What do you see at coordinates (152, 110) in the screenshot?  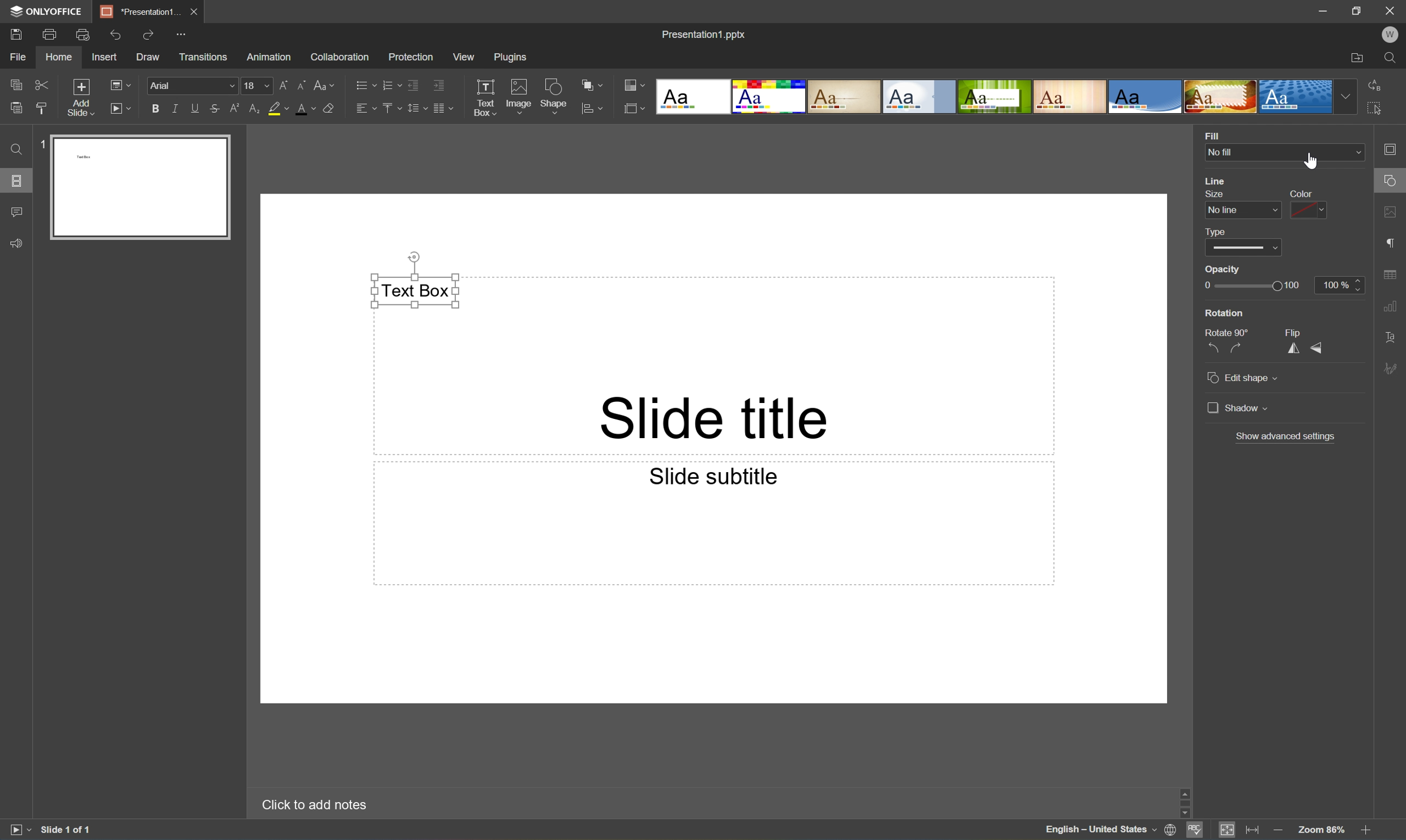 I see `Bold` at bounding box center [152, 110].